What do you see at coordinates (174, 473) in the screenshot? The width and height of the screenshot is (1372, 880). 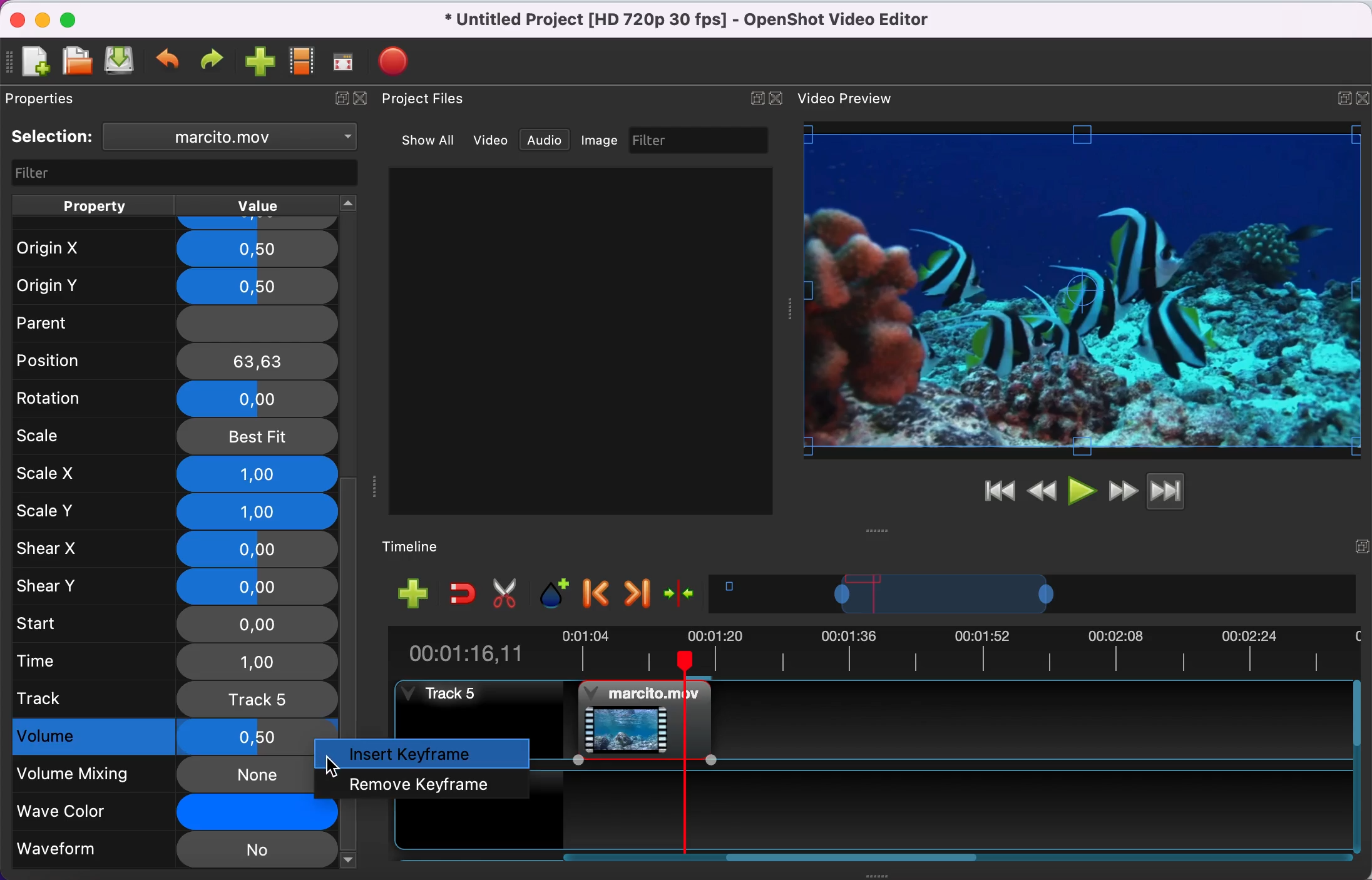 I see `scale x 1` at bounding box center [174, 473].